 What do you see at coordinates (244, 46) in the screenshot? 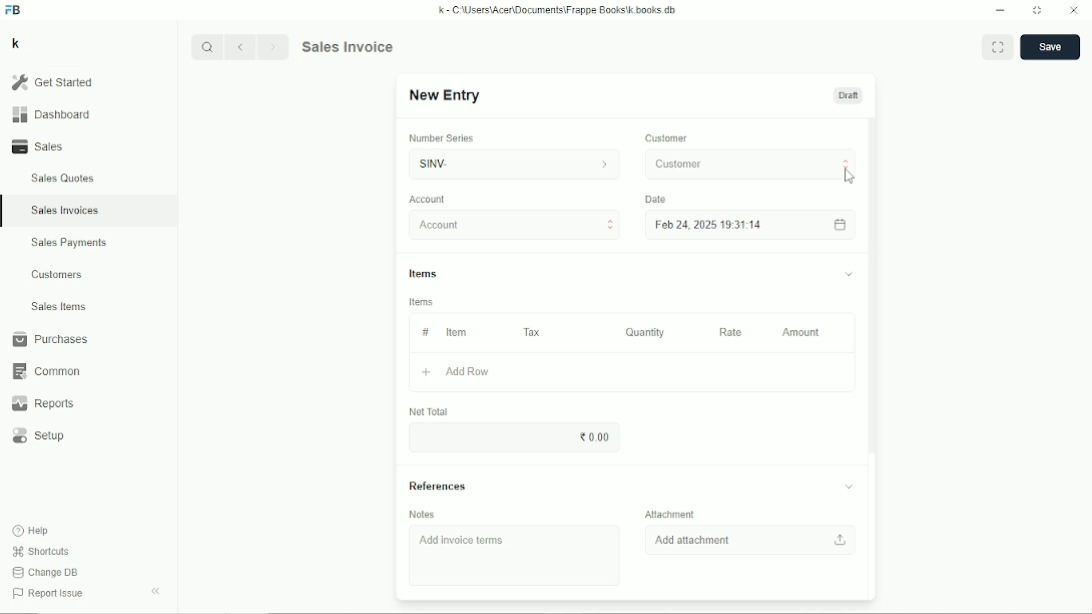
I see `Backward` at bounding box center [244, 46].